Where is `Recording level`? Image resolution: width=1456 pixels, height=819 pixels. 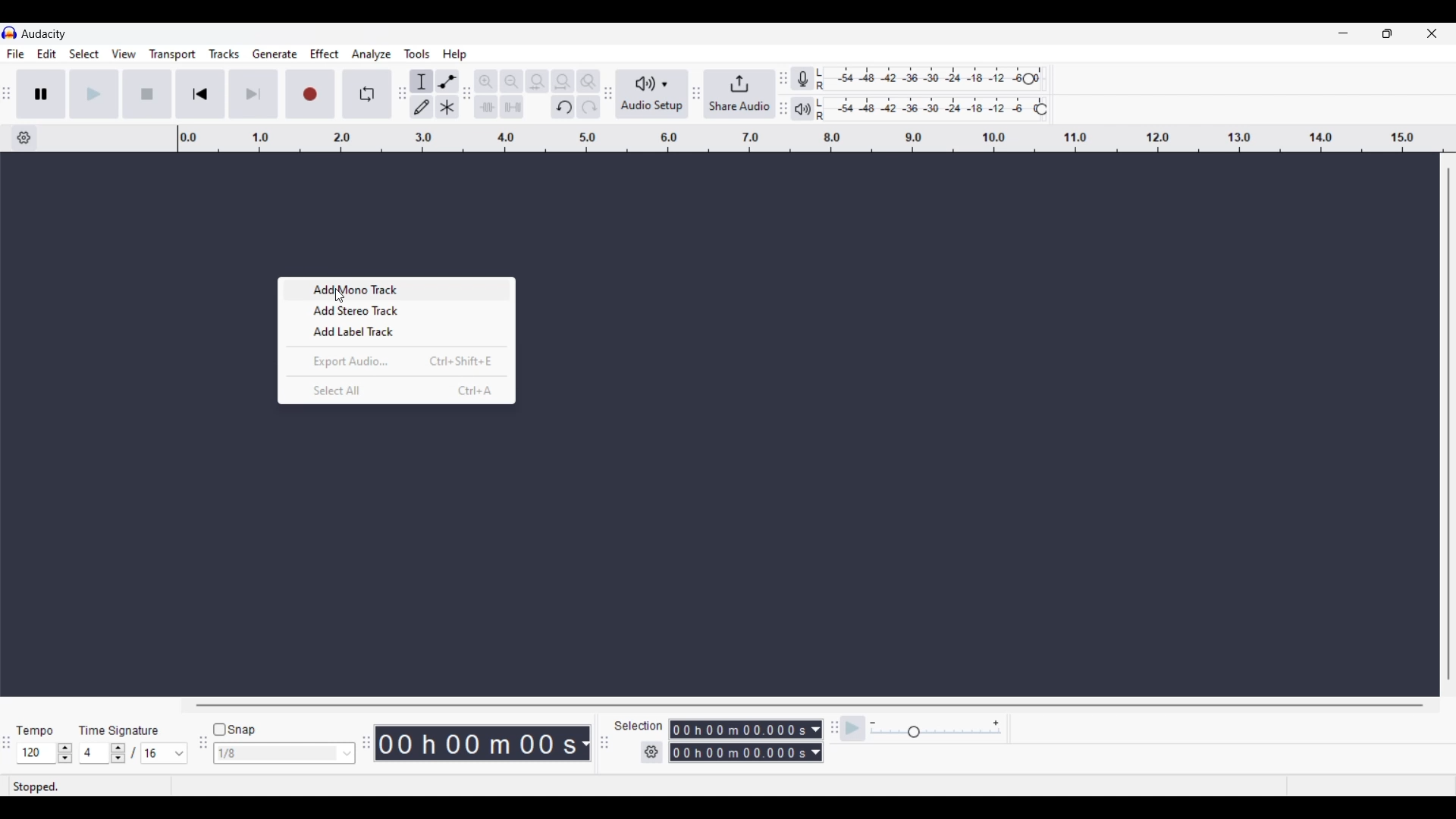
Recording level is located at coordinates (922, 80).